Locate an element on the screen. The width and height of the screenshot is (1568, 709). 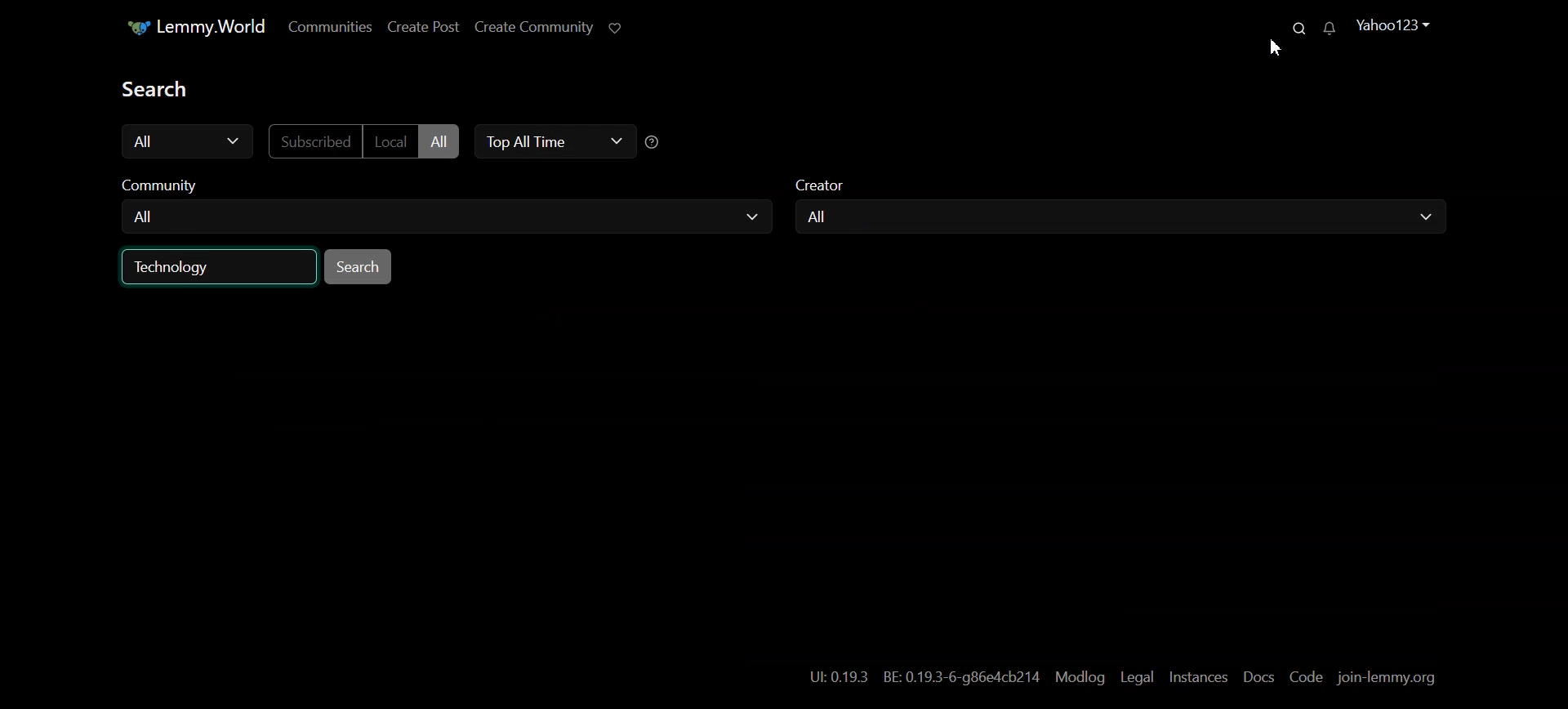
Unread Messages is located at coordinates (1329, 30).